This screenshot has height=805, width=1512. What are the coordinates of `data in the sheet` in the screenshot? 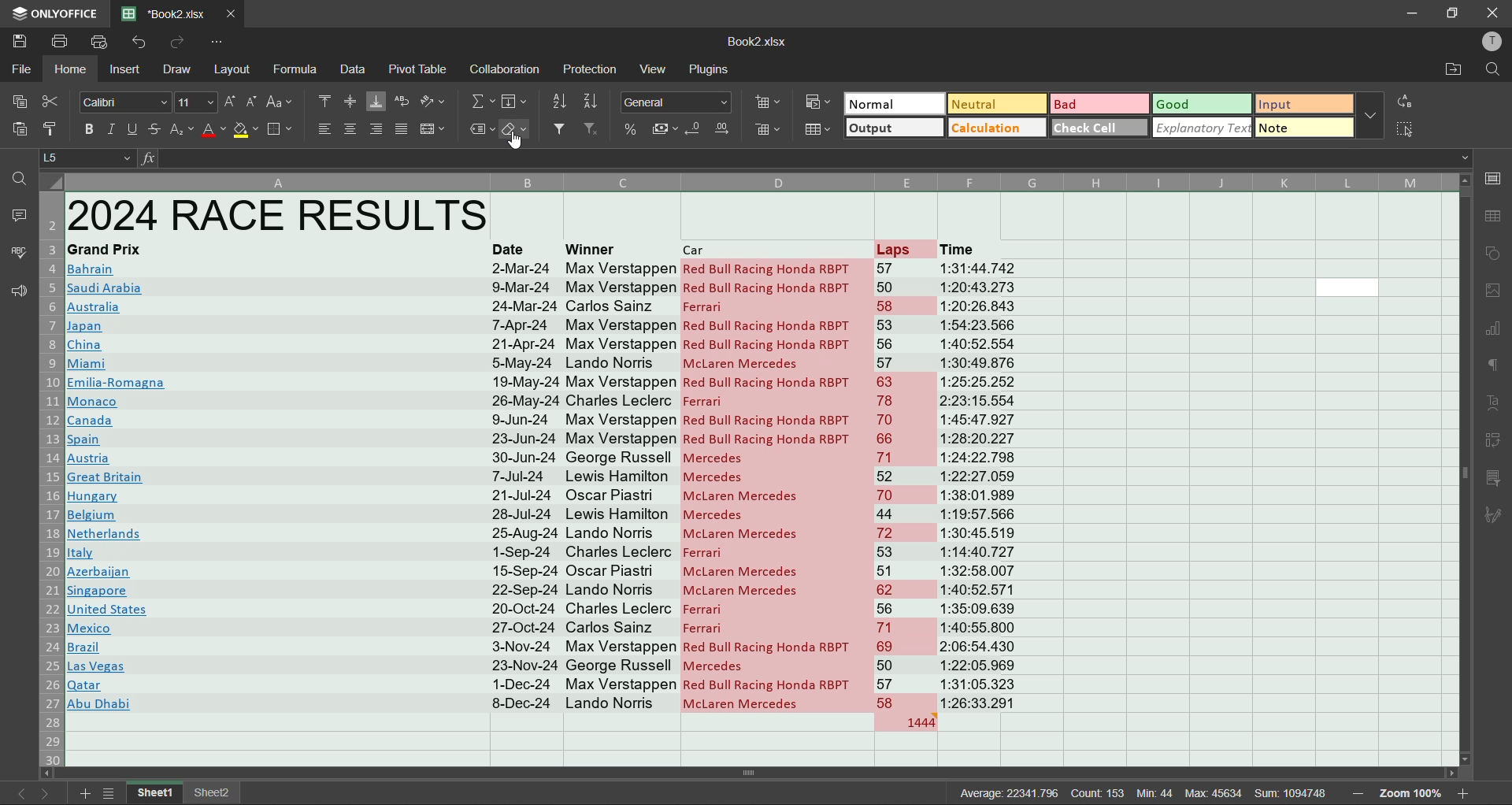 It's located at (565, 470).